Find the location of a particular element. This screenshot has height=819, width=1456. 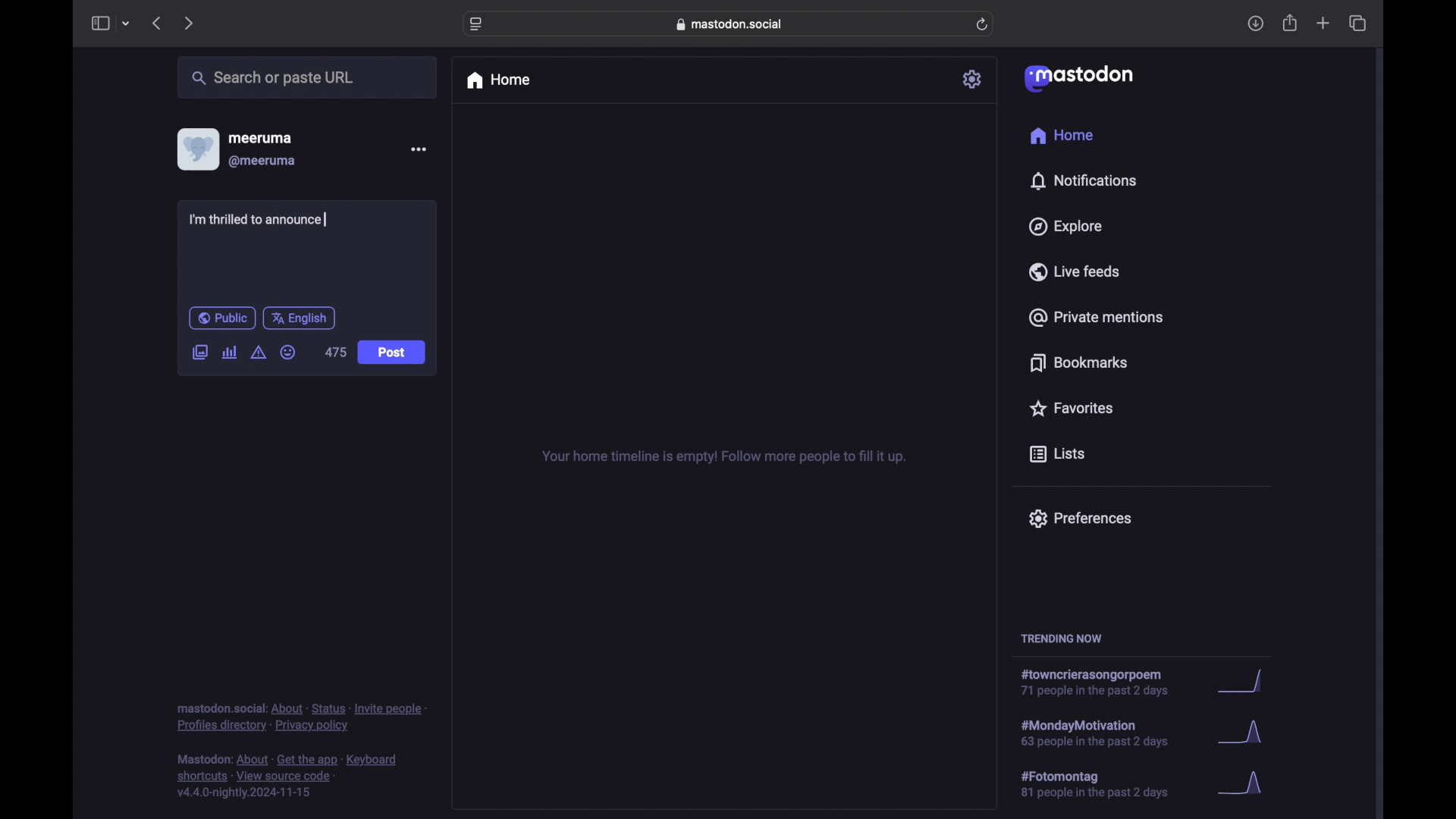

lists is located at coordinates (1057, 455).